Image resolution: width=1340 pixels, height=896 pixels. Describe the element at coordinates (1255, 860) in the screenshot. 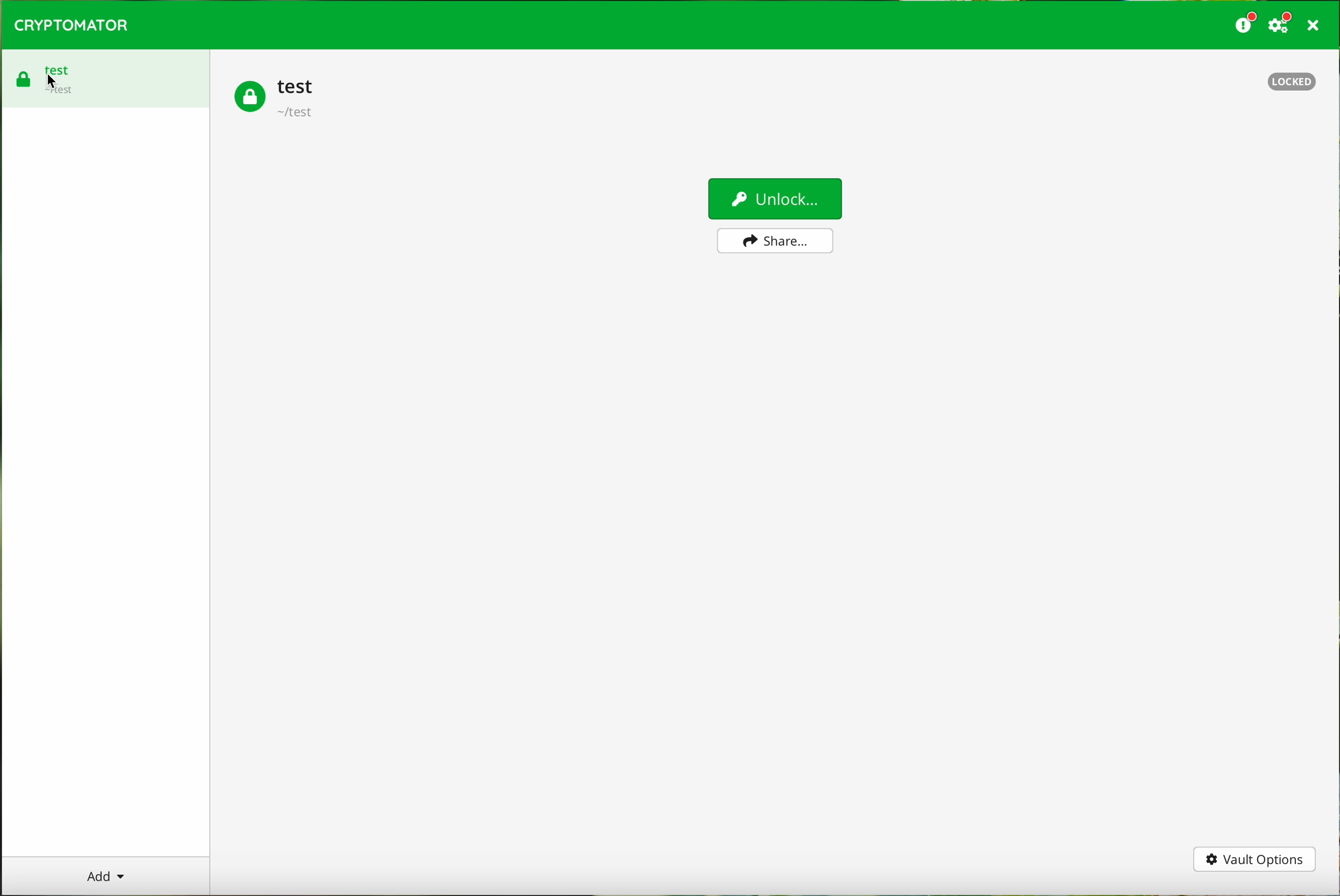

I see `vault options` at that location.